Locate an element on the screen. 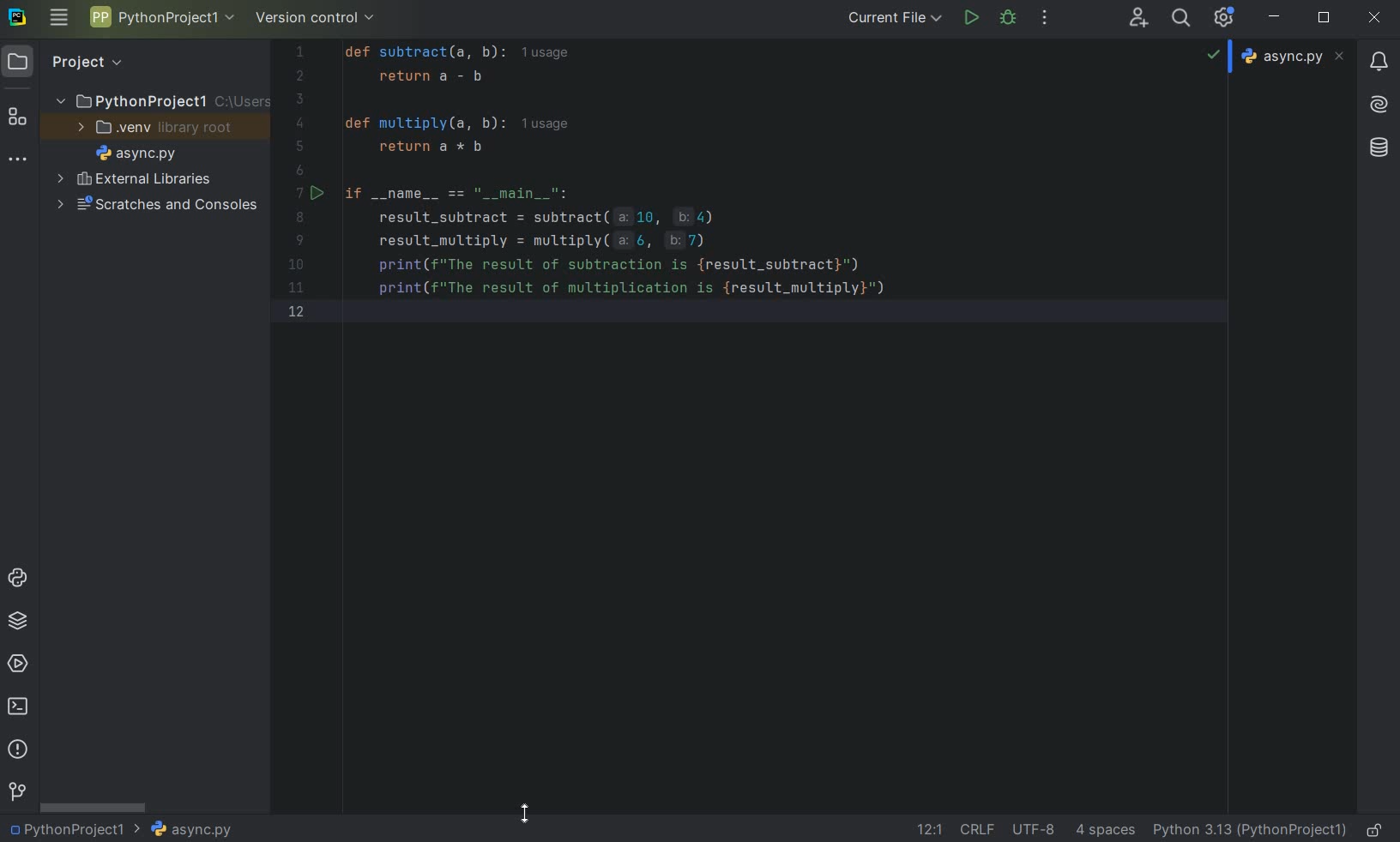 The height and width of the screenshot is (842, 1400). project icon is located at coordinates (21, 62).